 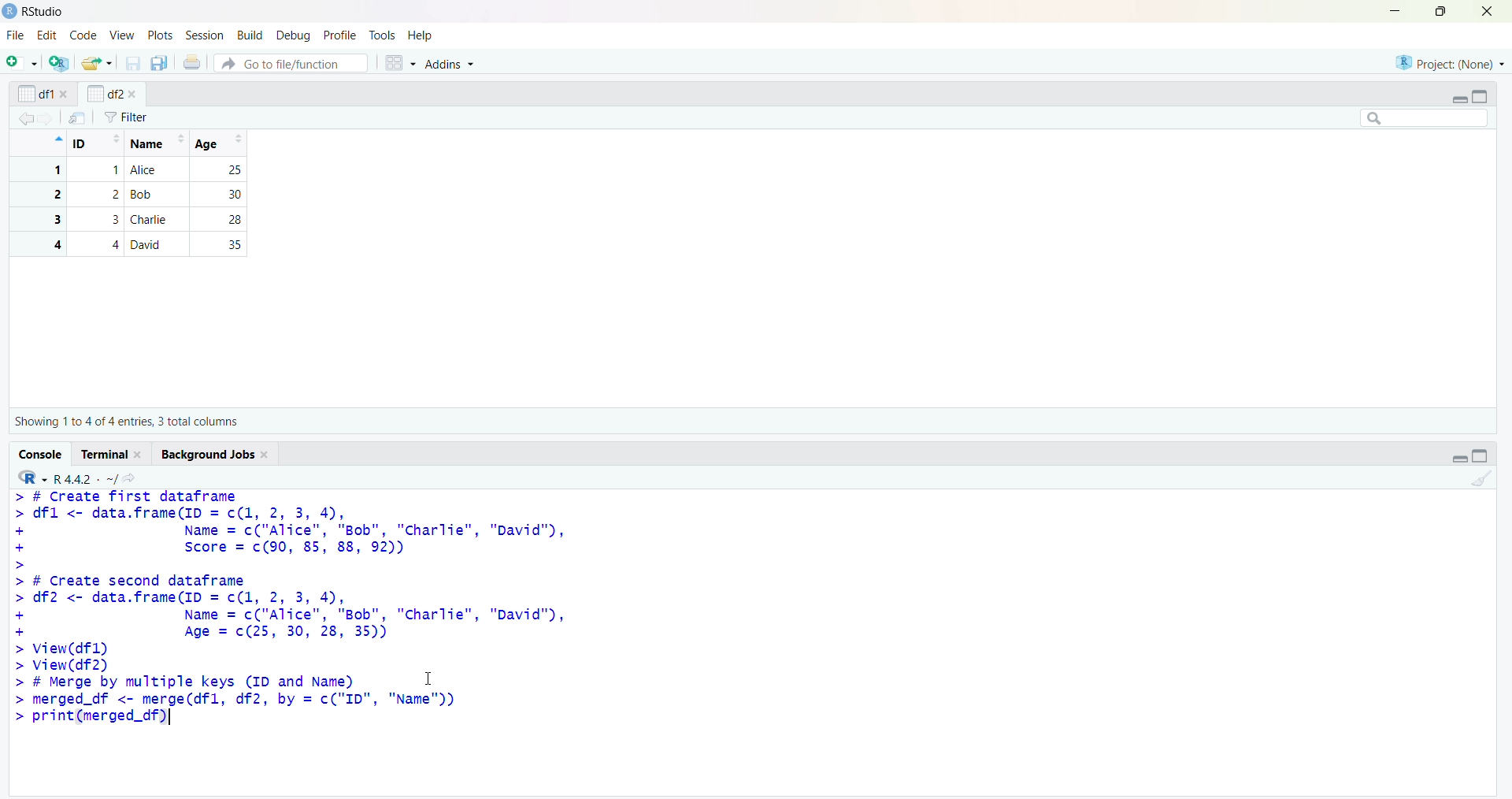 I want to click on code, so click(x=84, y=35).